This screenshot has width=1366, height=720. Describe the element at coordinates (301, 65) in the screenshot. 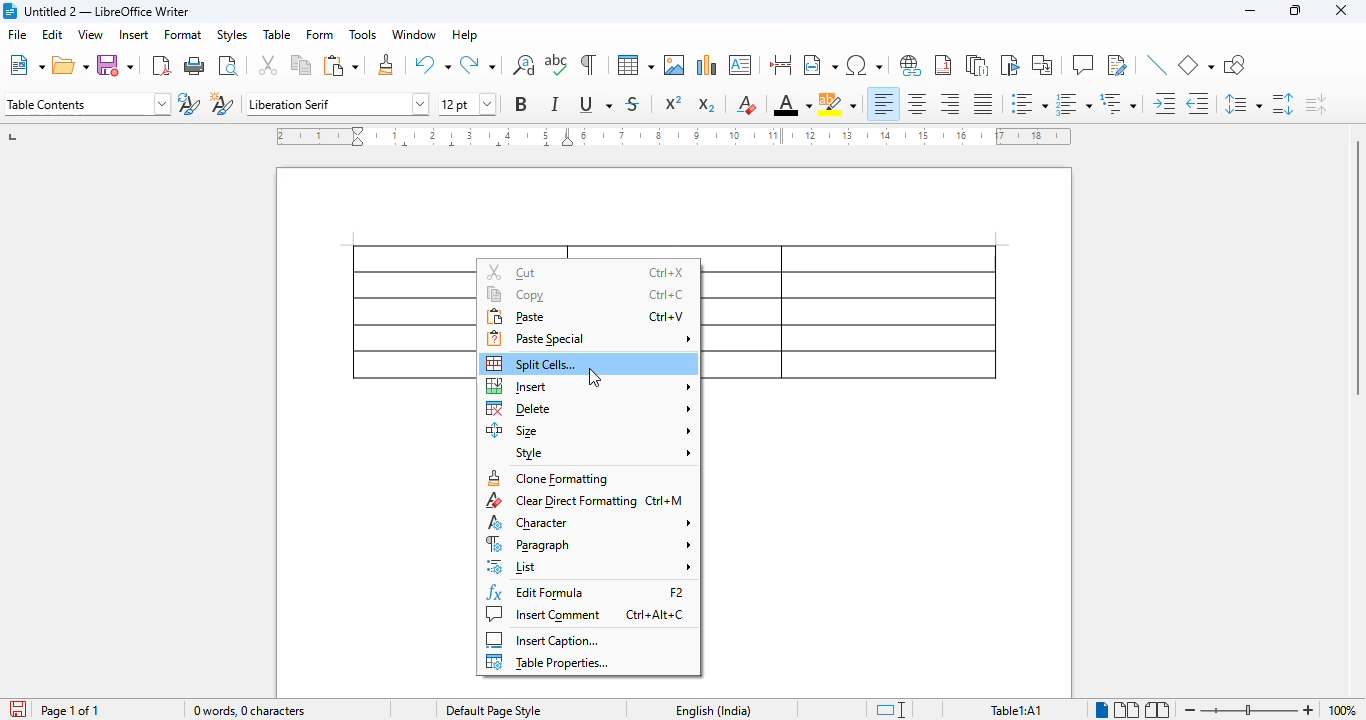

I see `copy` at that location.